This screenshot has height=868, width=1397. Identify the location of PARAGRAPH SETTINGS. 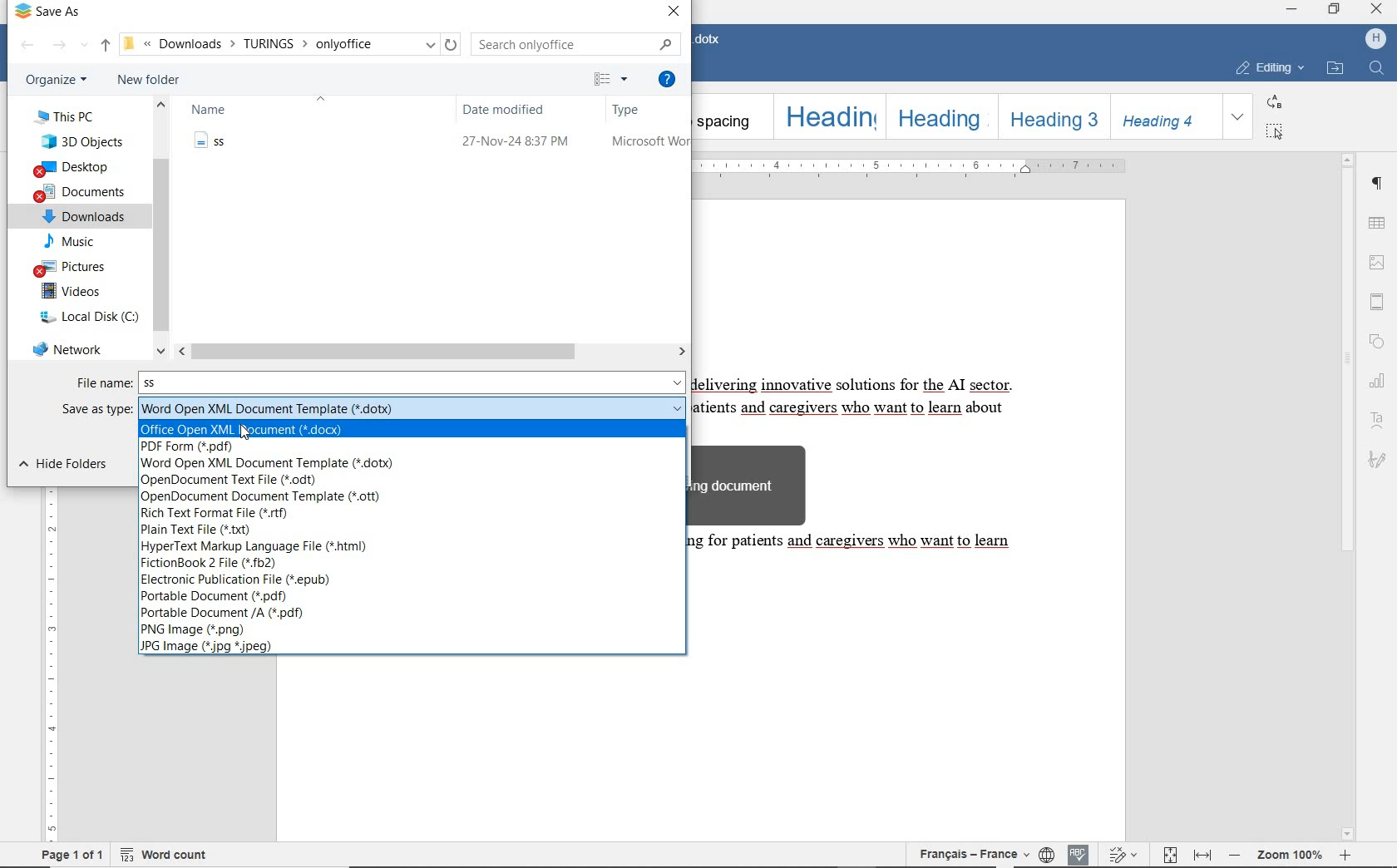
(1379, 185).